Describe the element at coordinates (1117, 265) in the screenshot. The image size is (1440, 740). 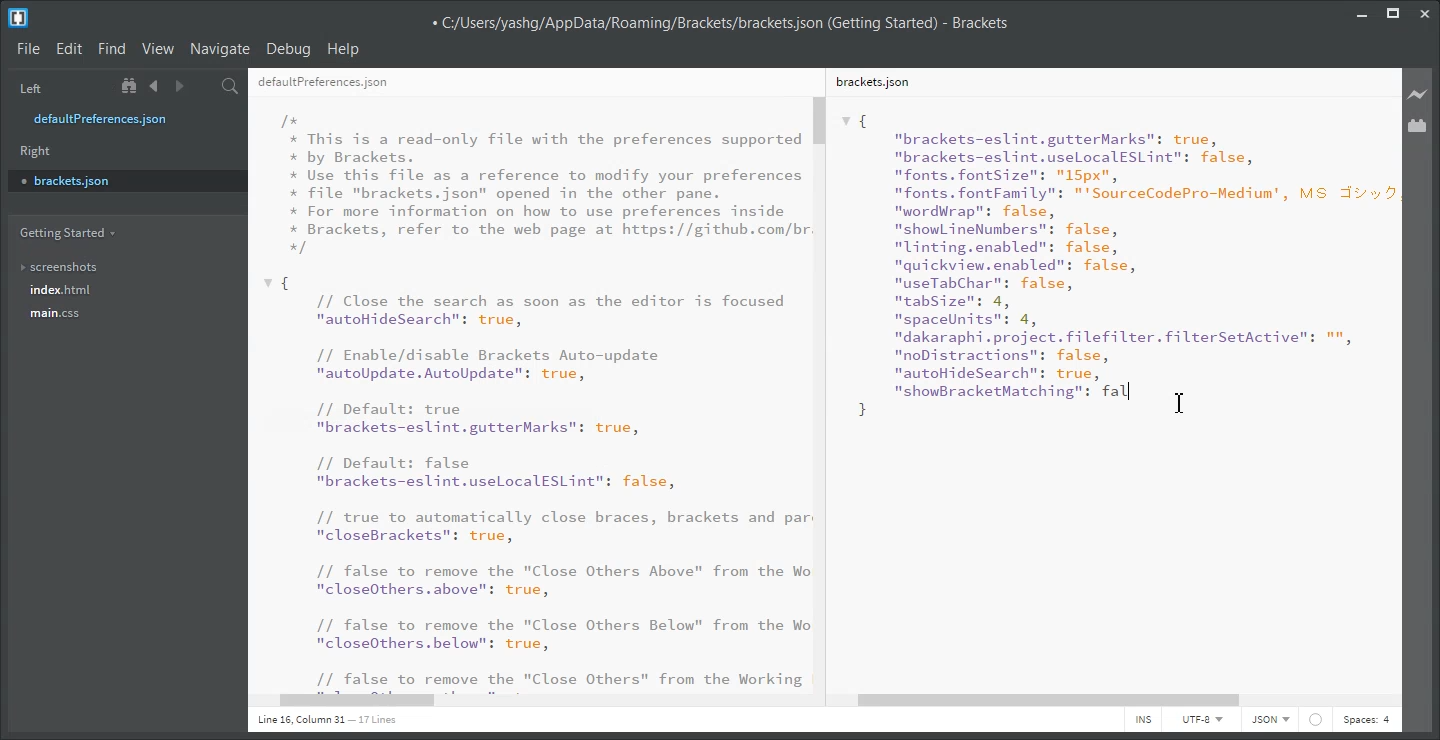
I see `{"brackets-eslint.gutterMarks": true,"brackets-eslint.uselocalESLint": false,"fonts. fontSize": "15px","fonts. fontFamily": "'SourceCodePro-Medium', MS J:"wordWrap": false,"show ineNumbers": false,"linting.enabled": false,"quickview.enabled": false,"useTabChar": false,"tabSize": 4,"spaceUnits": 4,"dakaraphi.project. filefilter.filterSetActive": "","noDistractions": false,"autoHideSearch”: true,nshowBracketMatching": fal }` at that location.